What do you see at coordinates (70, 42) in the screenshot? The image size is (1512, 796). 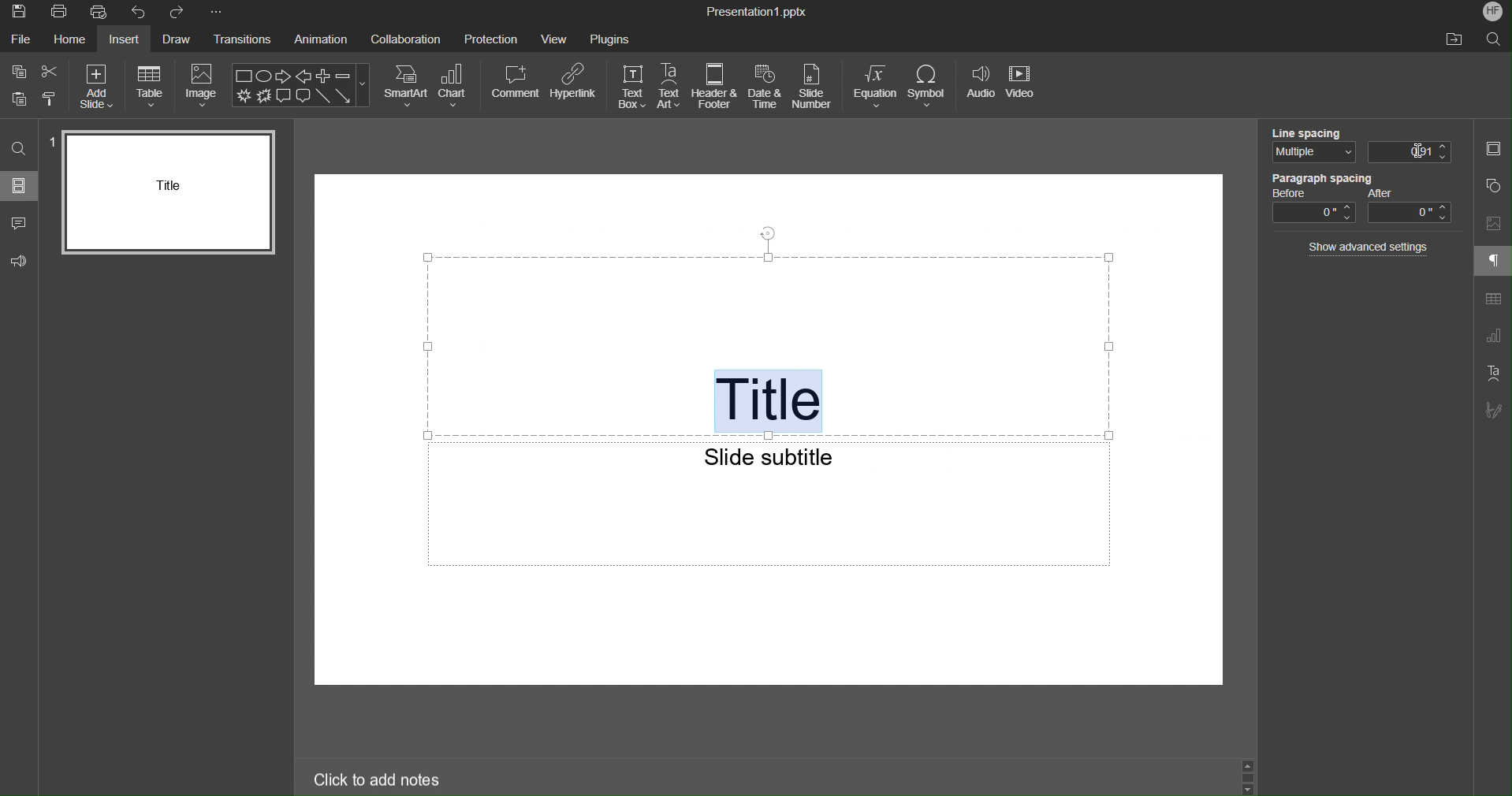 I see `Home` at bounding box center [70, 42].